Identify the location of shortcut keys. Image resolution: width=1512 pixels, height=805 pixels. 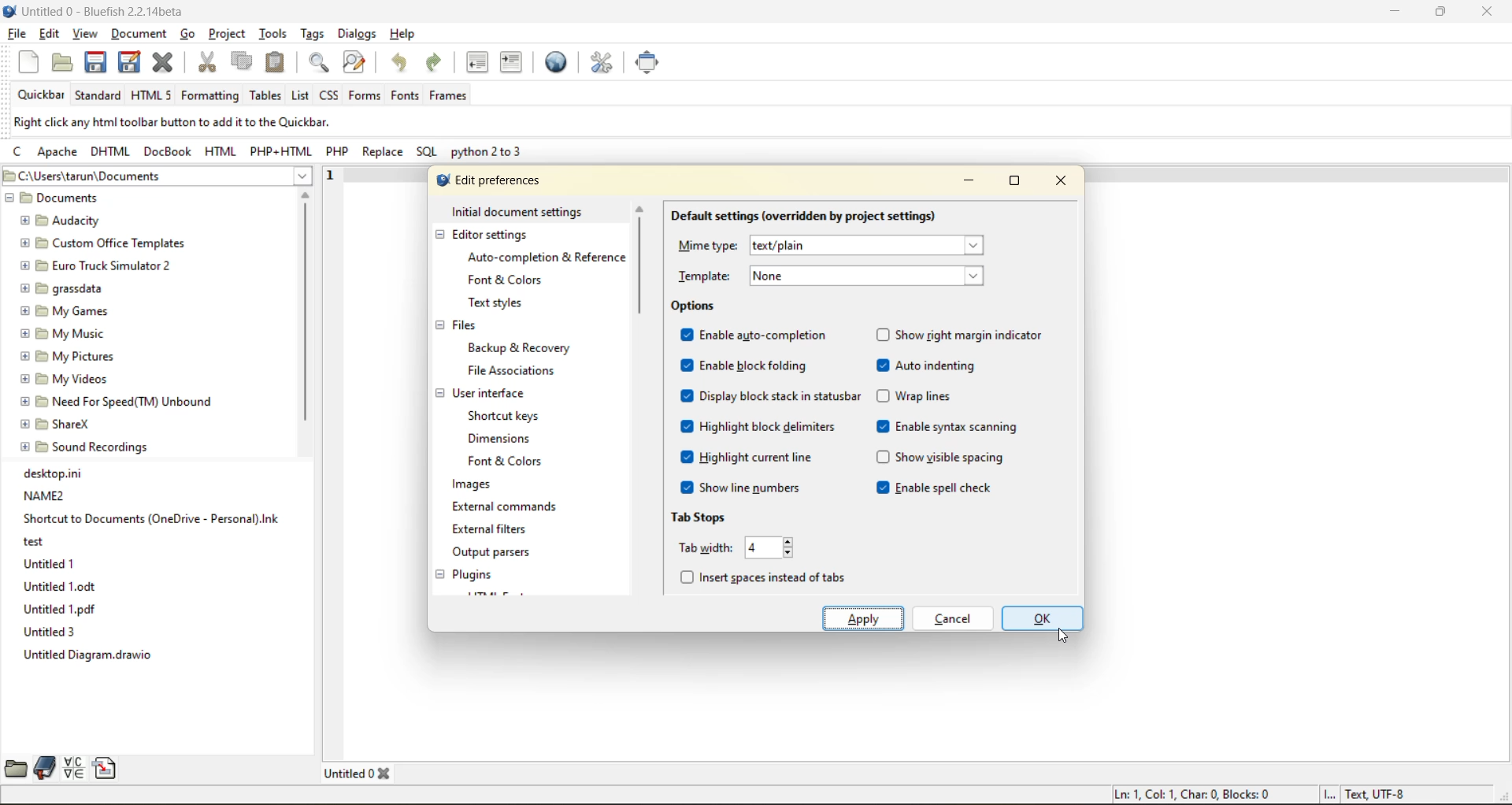
(508, 414).